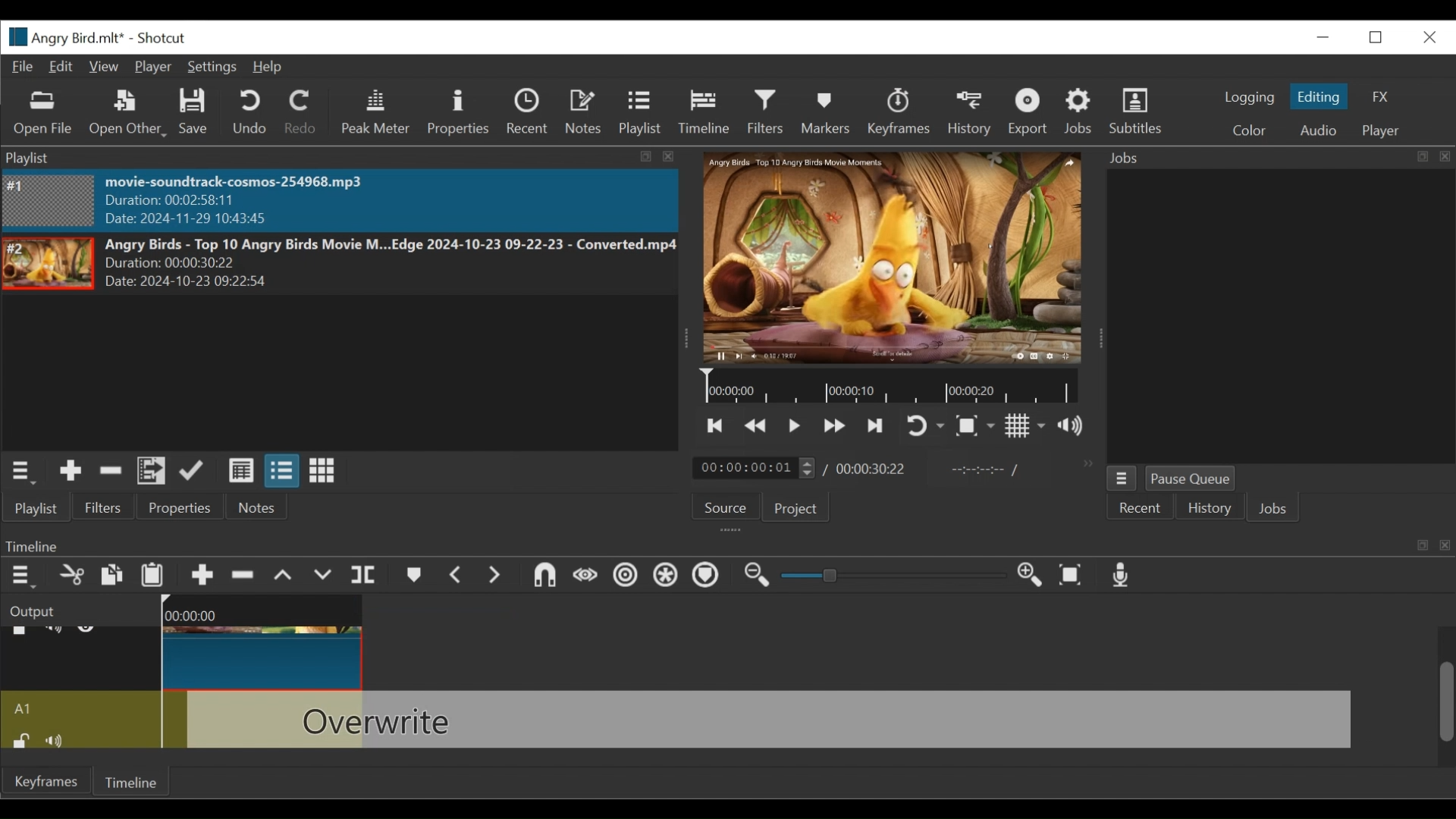 The height and width of the screenshot is (819, 1456). I want to click on Jobs Menu, so click(1122, 478).